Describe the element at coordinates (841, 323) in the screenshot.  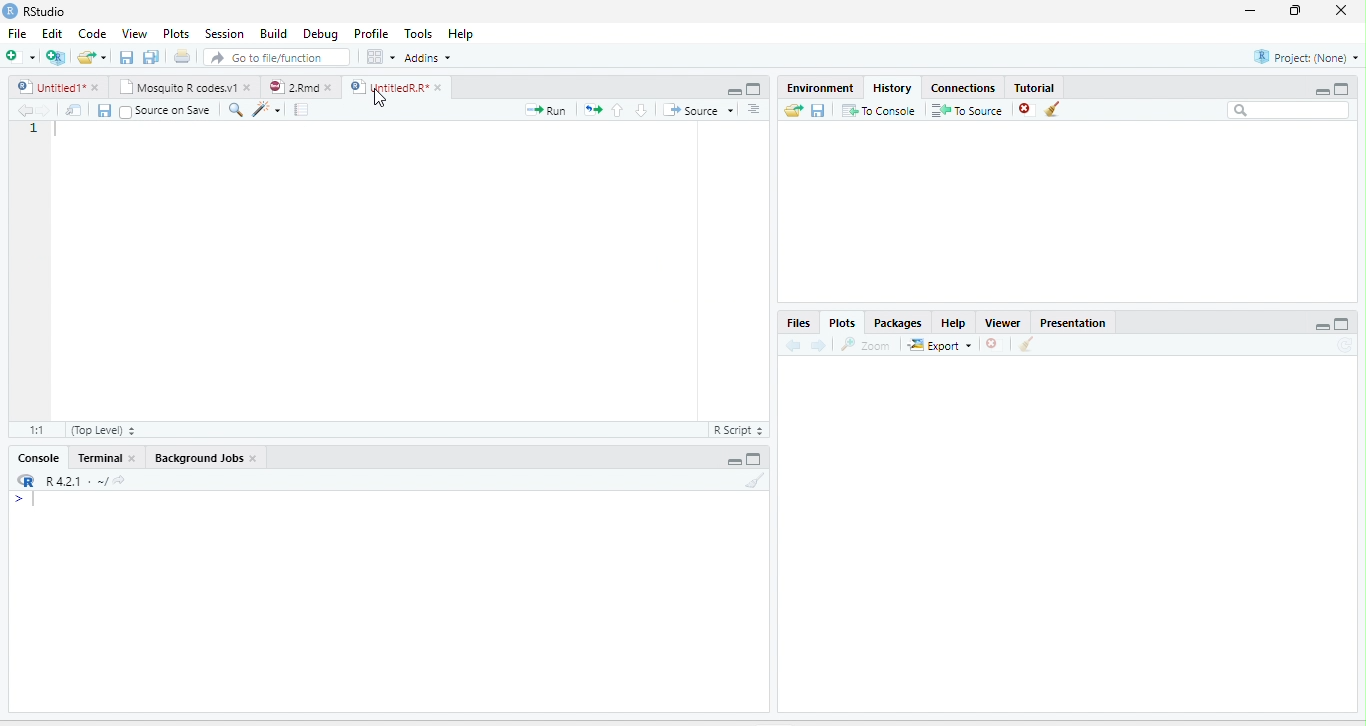
I see `Plots` at that location.